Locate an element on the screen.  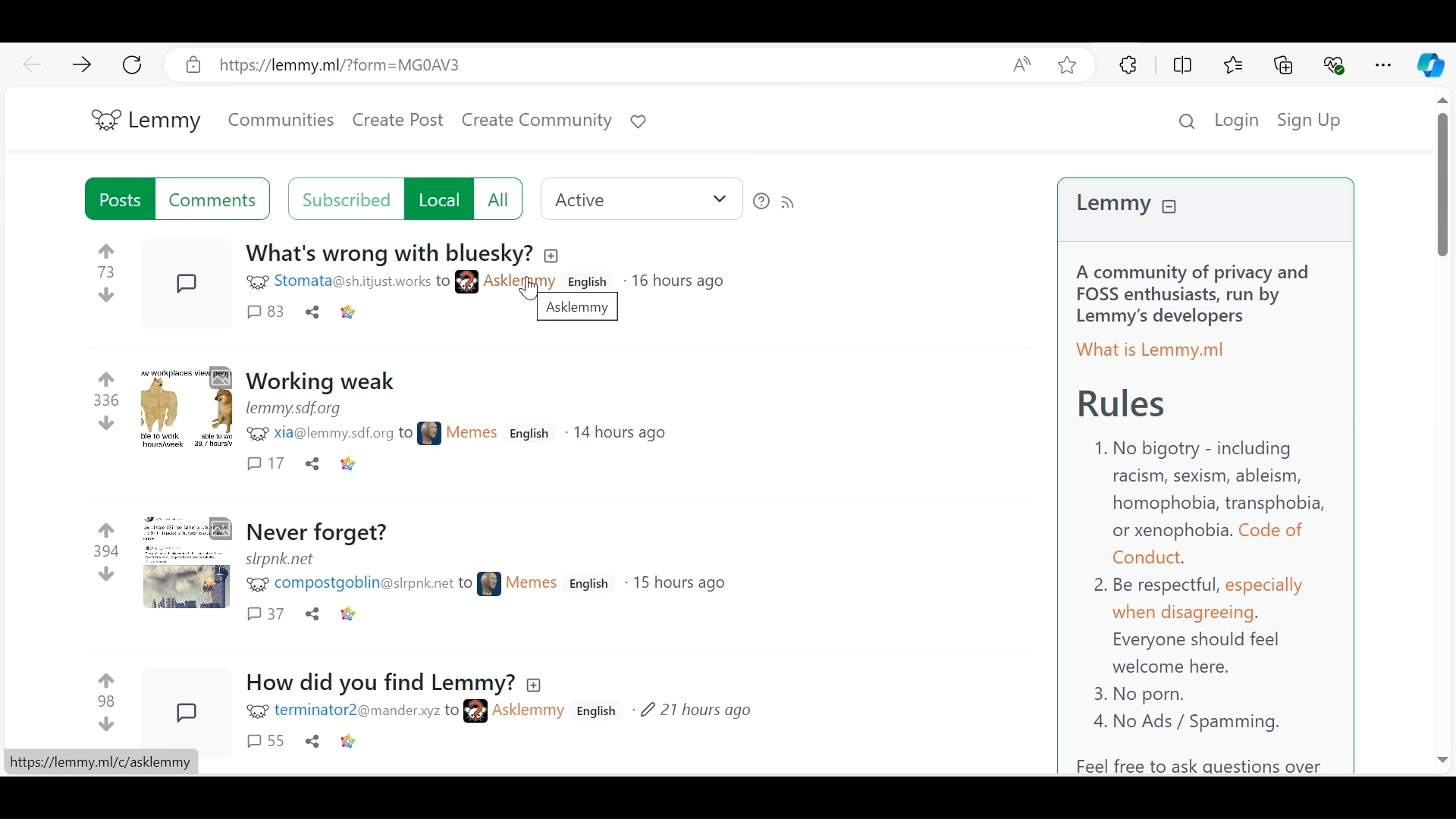
Upvotes and downvotes is located at coordinates (108, 554).